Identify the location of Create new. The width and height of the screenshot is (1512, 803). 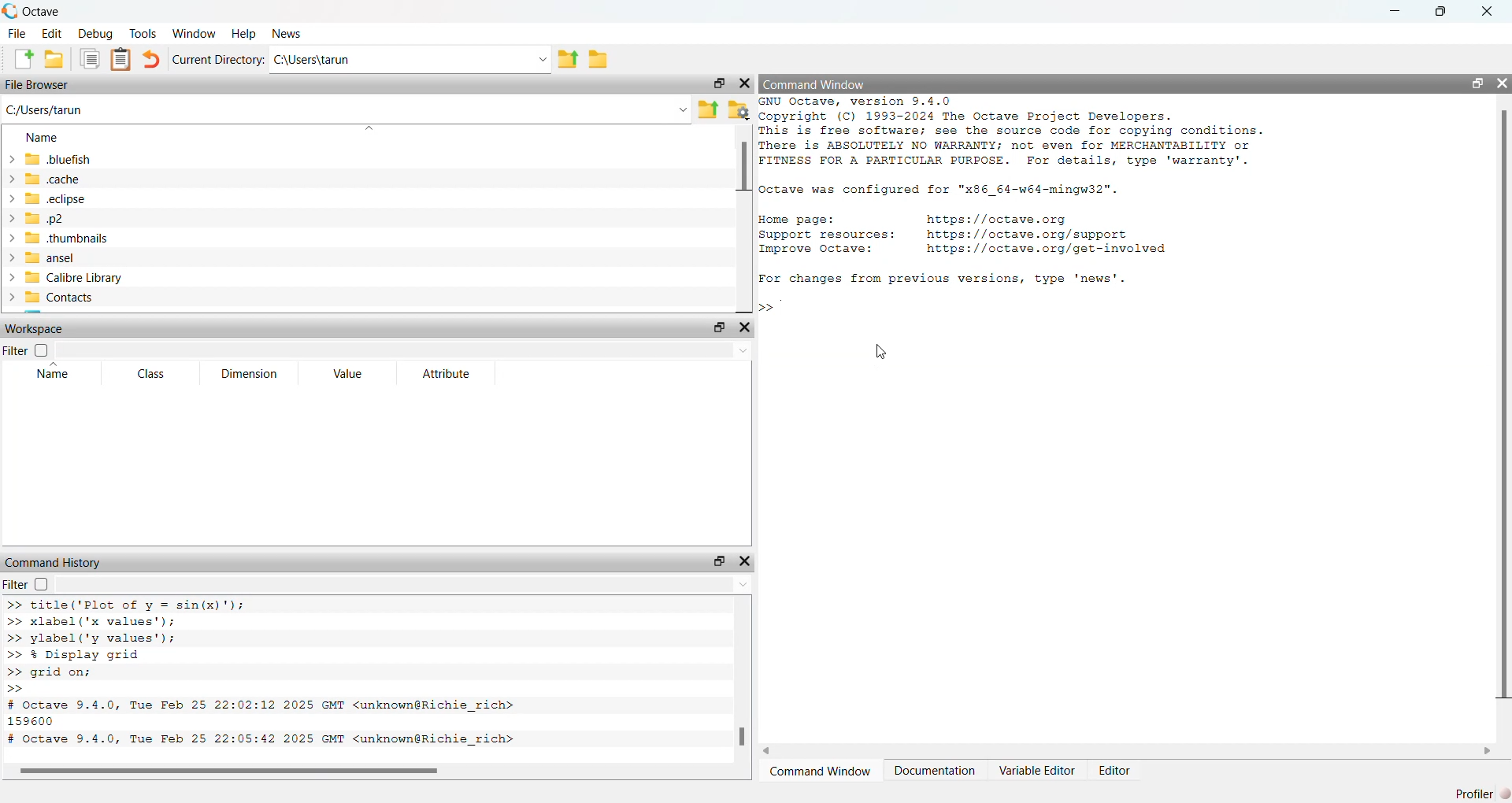
(25, 59).